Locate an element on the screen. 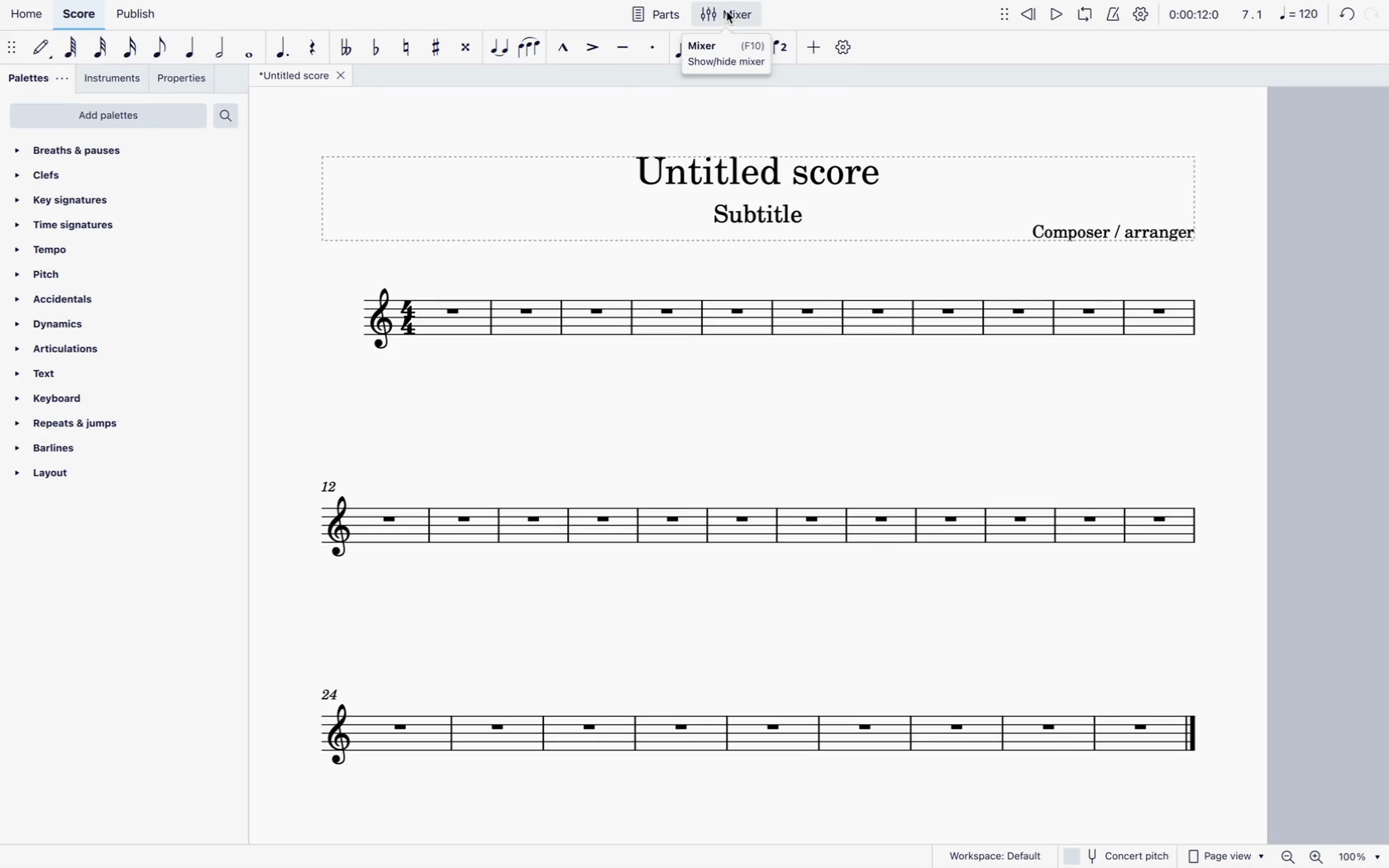  properties is located at coordinates (185, 81).